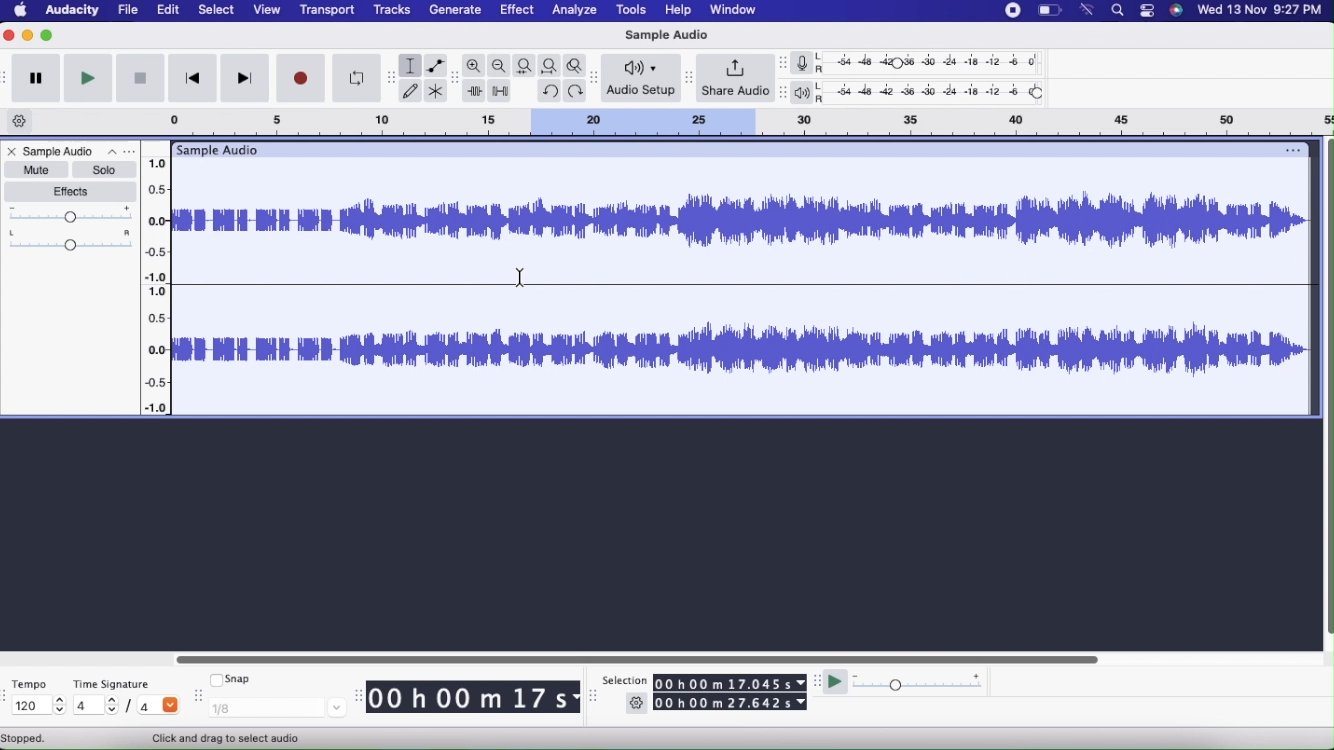 Image resolution: width=1334 pixels, height=750 pixels. What do you see at coordinates (518, 12) in the screenshot?
I see `effect` at bounding box center [518, 12].